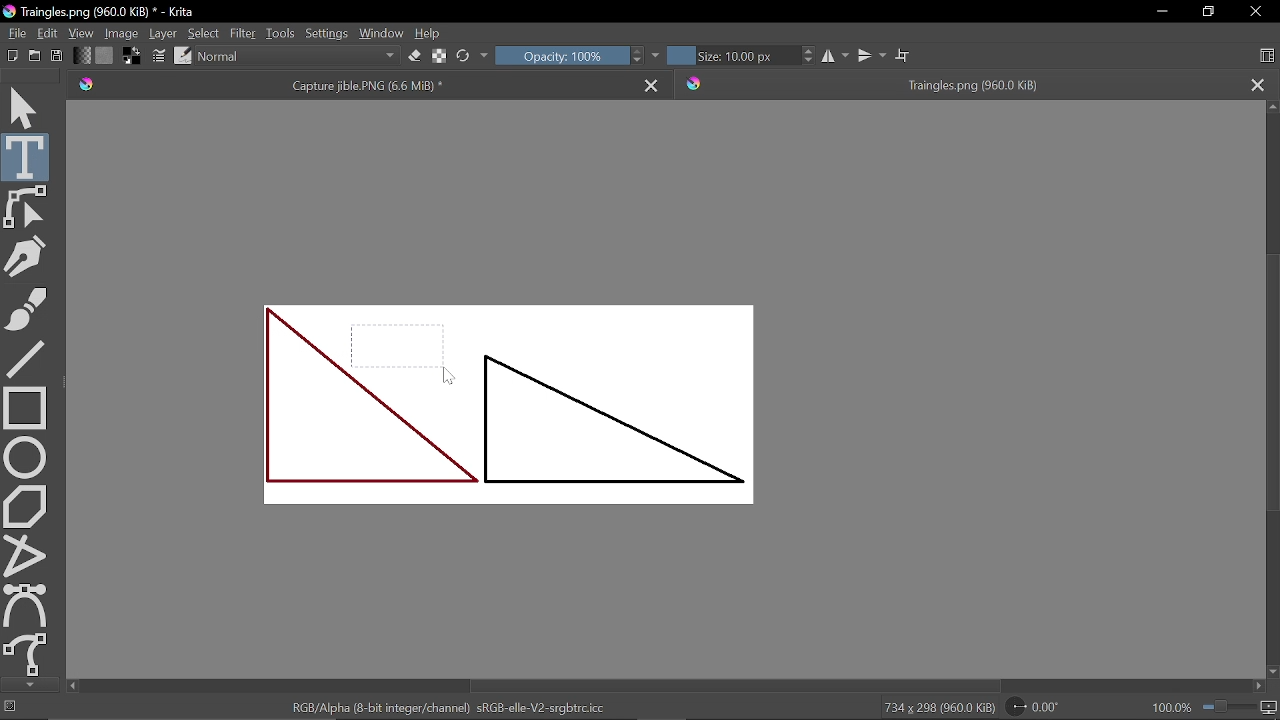  Describe the element at coordinates (412, 57) in the screenshot. I see `Eraser` at that location.